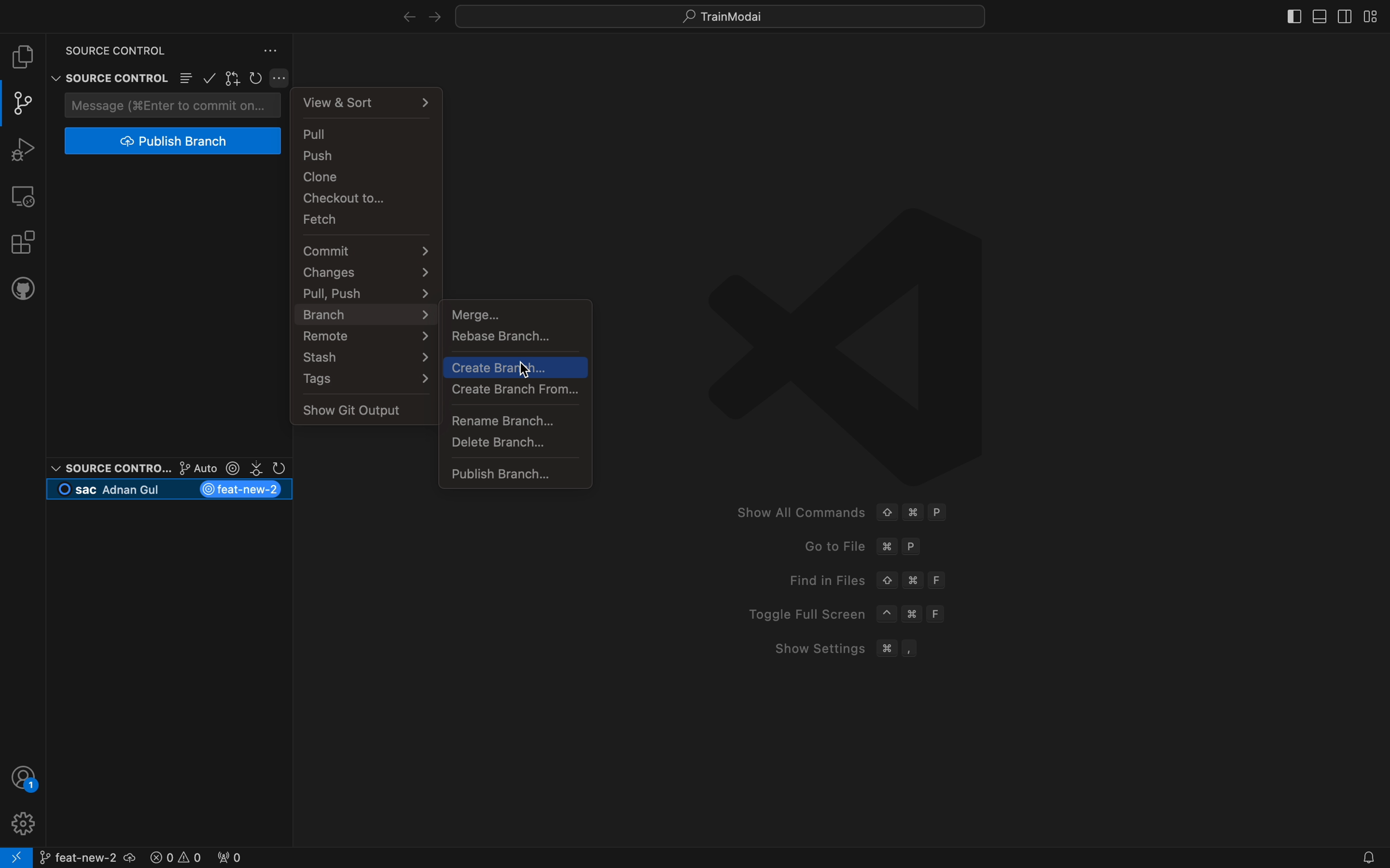 The image size is (1390, 868). Describe the element at coordinates (517, 443) in the screenshot. I see `delete` at that location.